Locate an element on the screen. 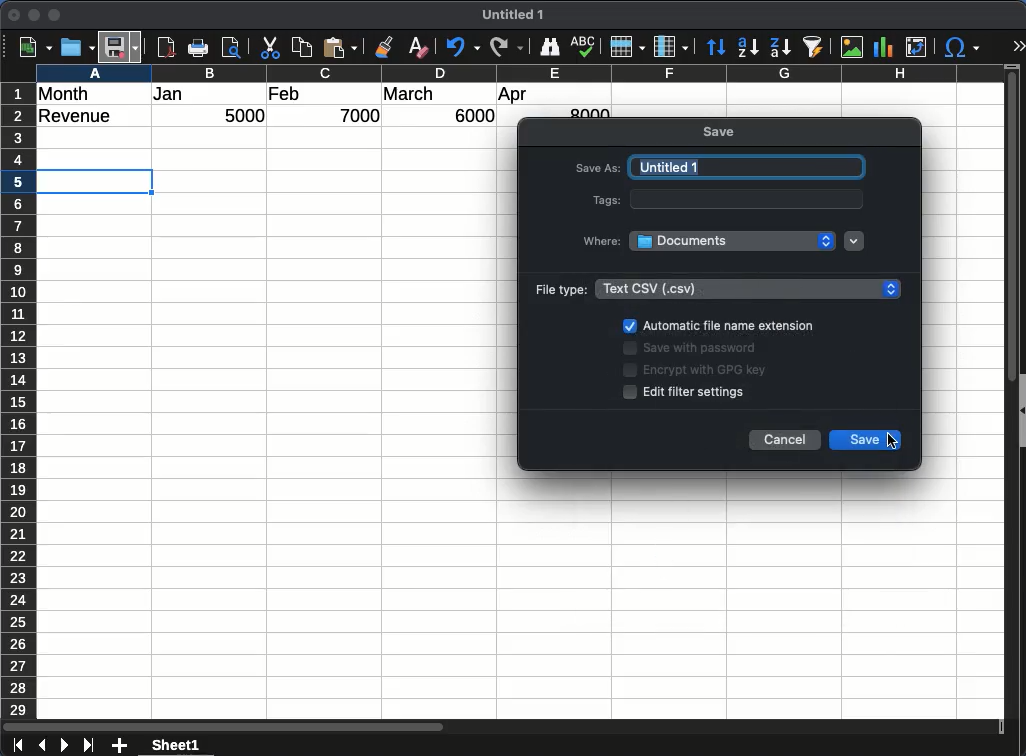 This screenshot has height=756, width=1026. checkbox is located at coordinates (629, 325).